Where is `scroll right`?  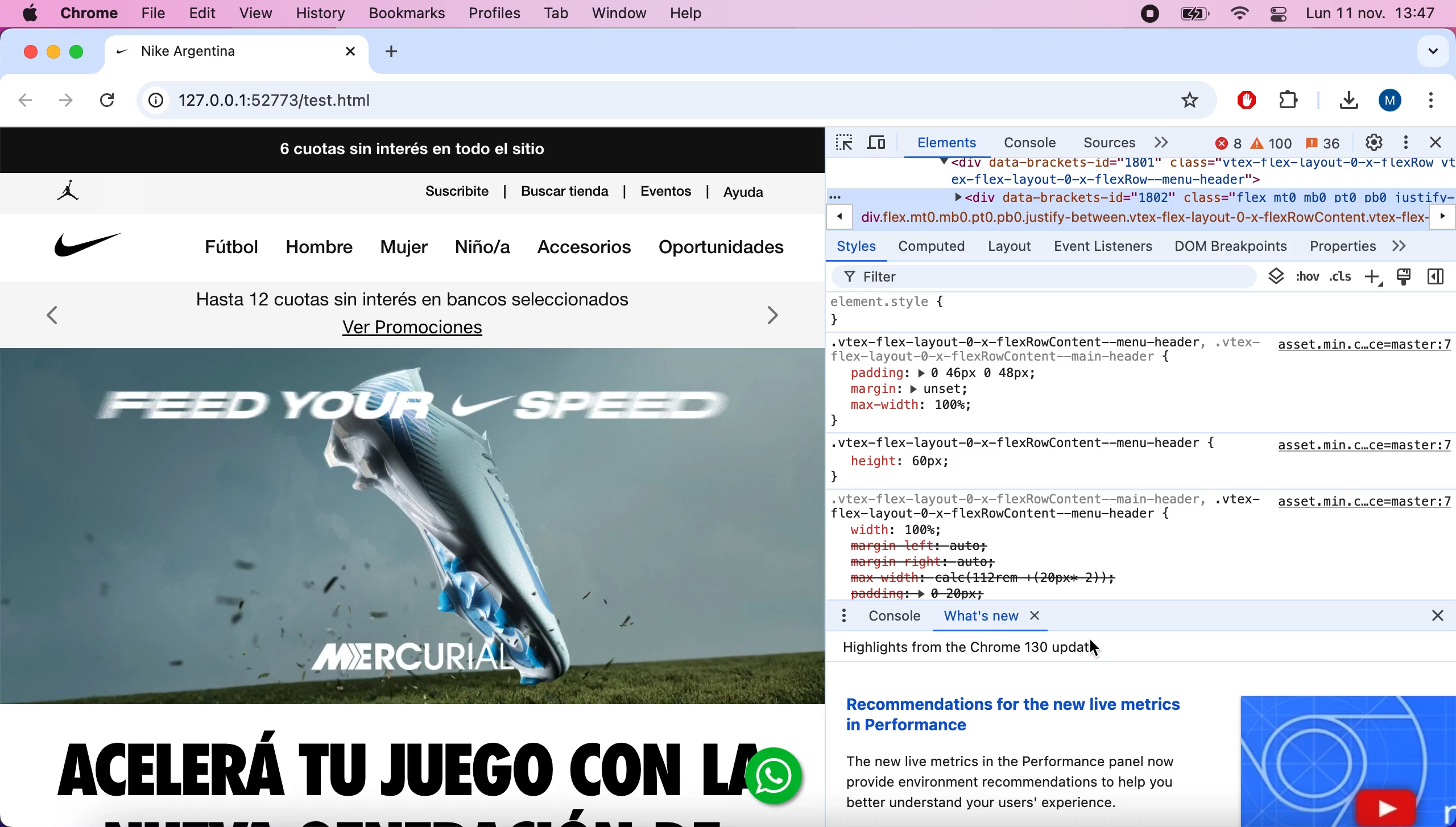 scroll right is located at coordinates (1443, 214).